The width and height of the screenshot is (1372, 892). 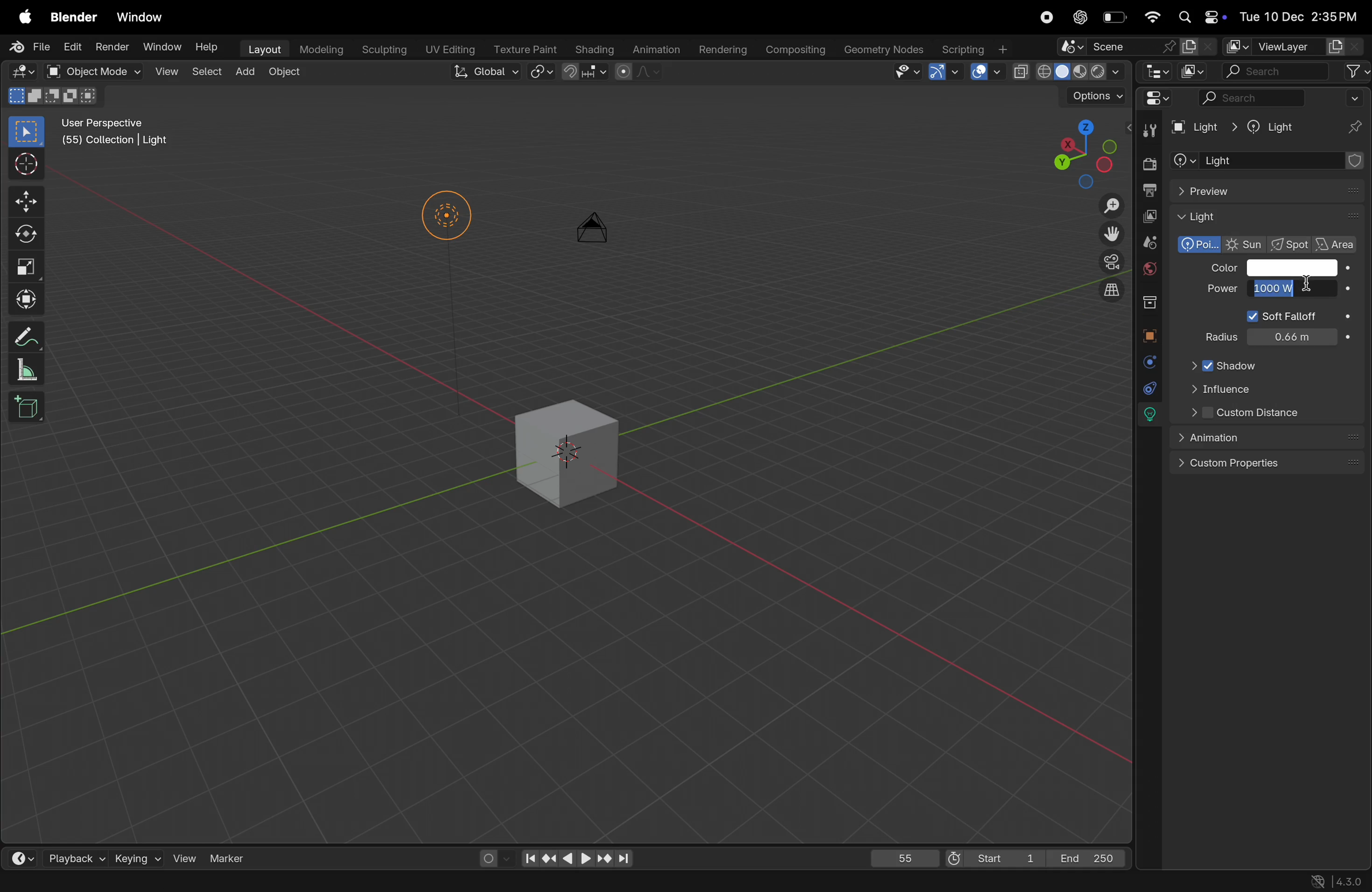 I want to click on rotate, so click(x=26, y=237).